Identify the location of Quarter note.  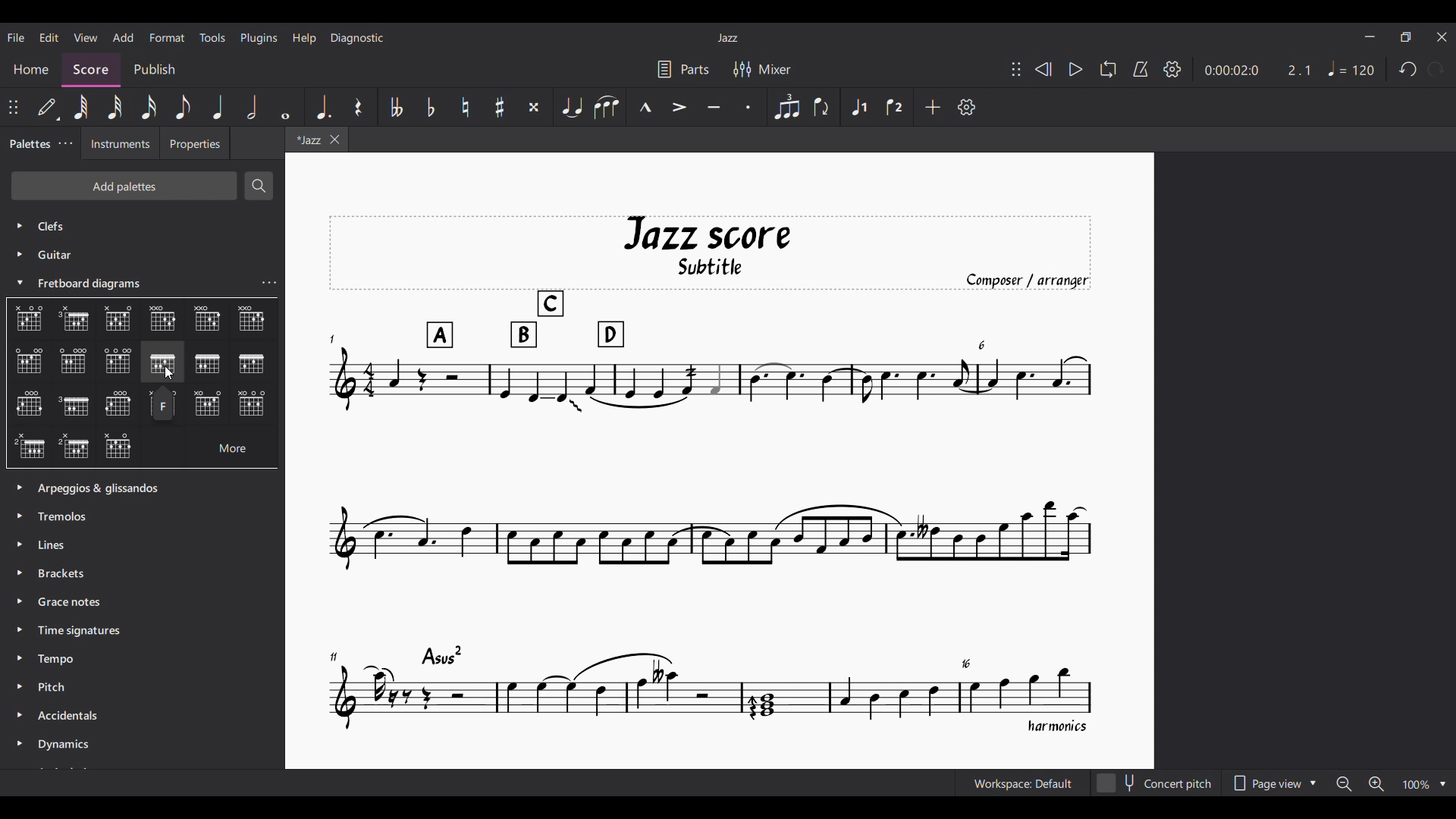
(219, 107).